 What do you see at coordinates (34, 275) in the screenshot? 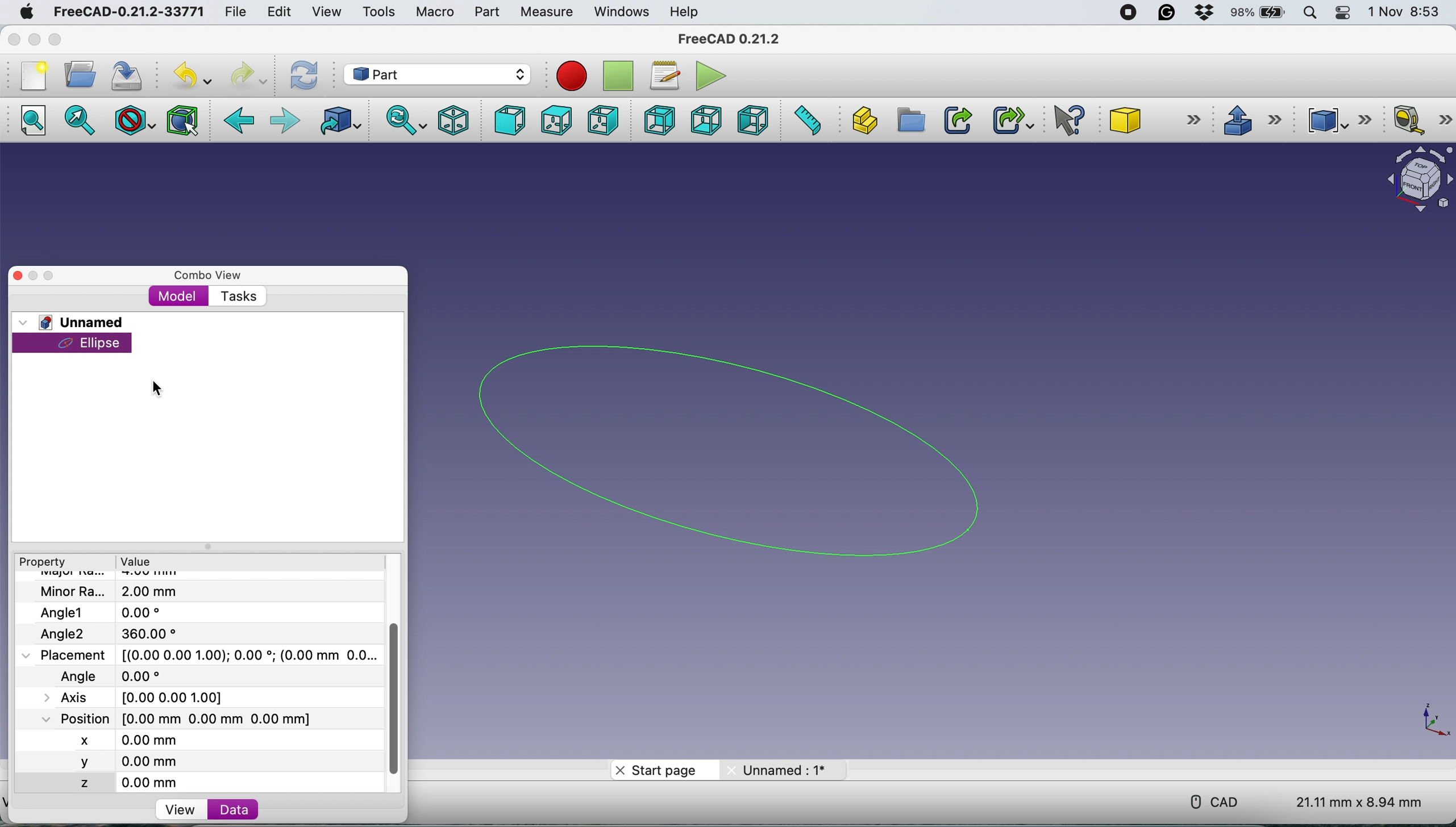
I see `minimise` at bounding box center [34, 275].